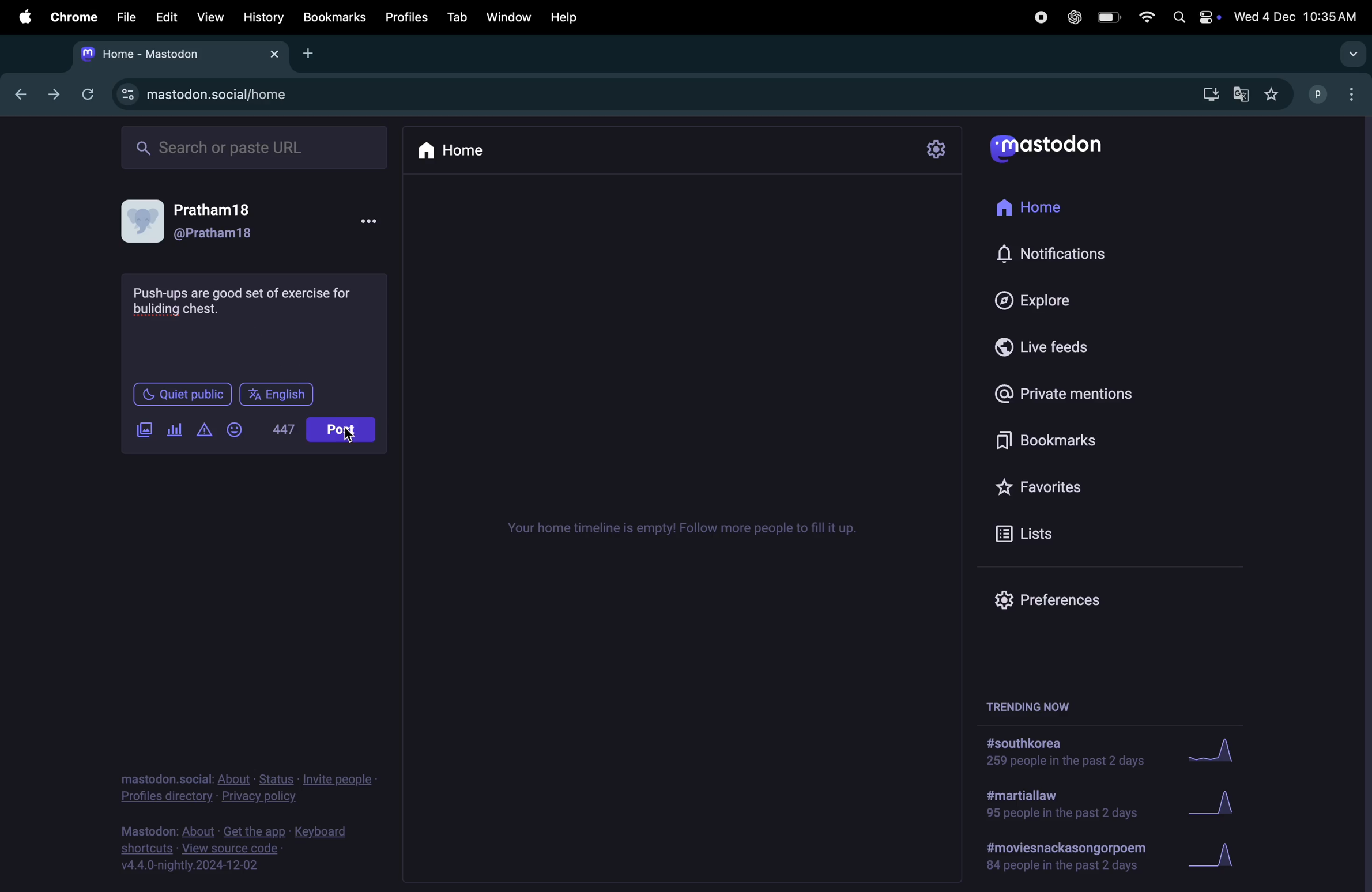  I want to click on apple menu, so click(19, 17).